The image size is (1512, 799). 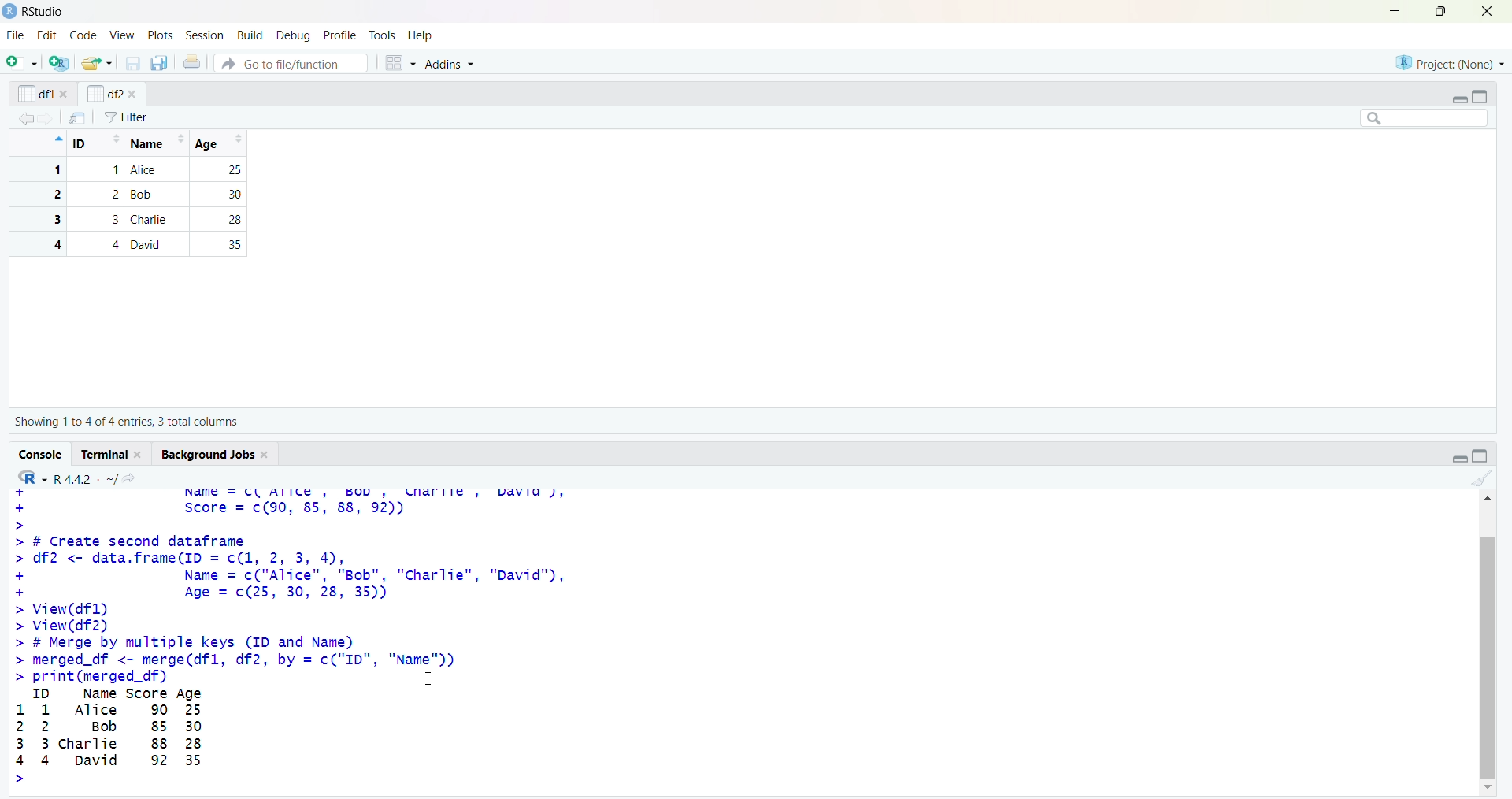 What do you see at coordinates (1488, 656) in the screenshot?
I see `scrollbar` at bounding box center [1488, 656].